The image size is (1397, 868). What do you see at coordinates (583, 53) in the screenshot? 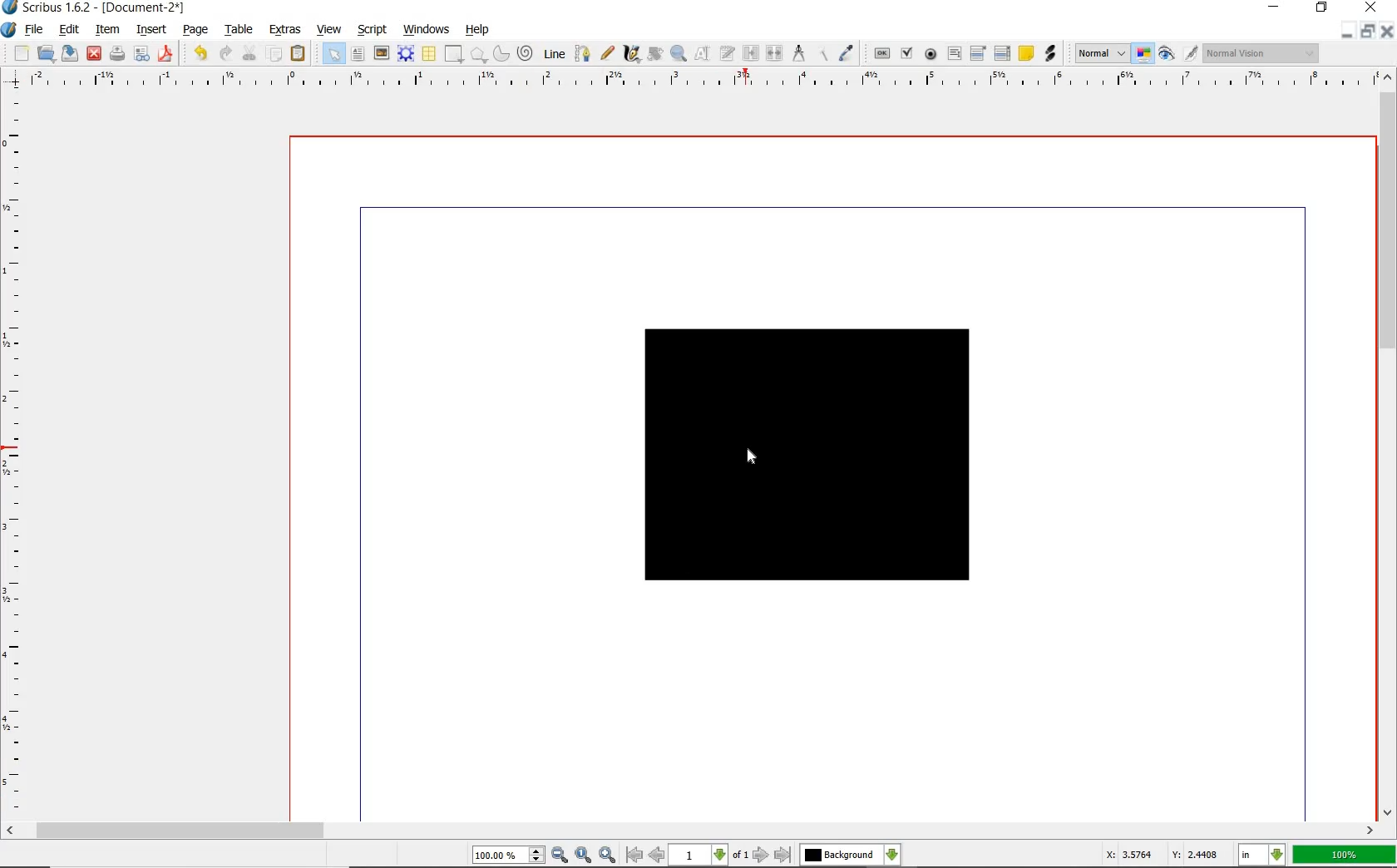
I see `bezier curve` at bounding box center [583, 53].